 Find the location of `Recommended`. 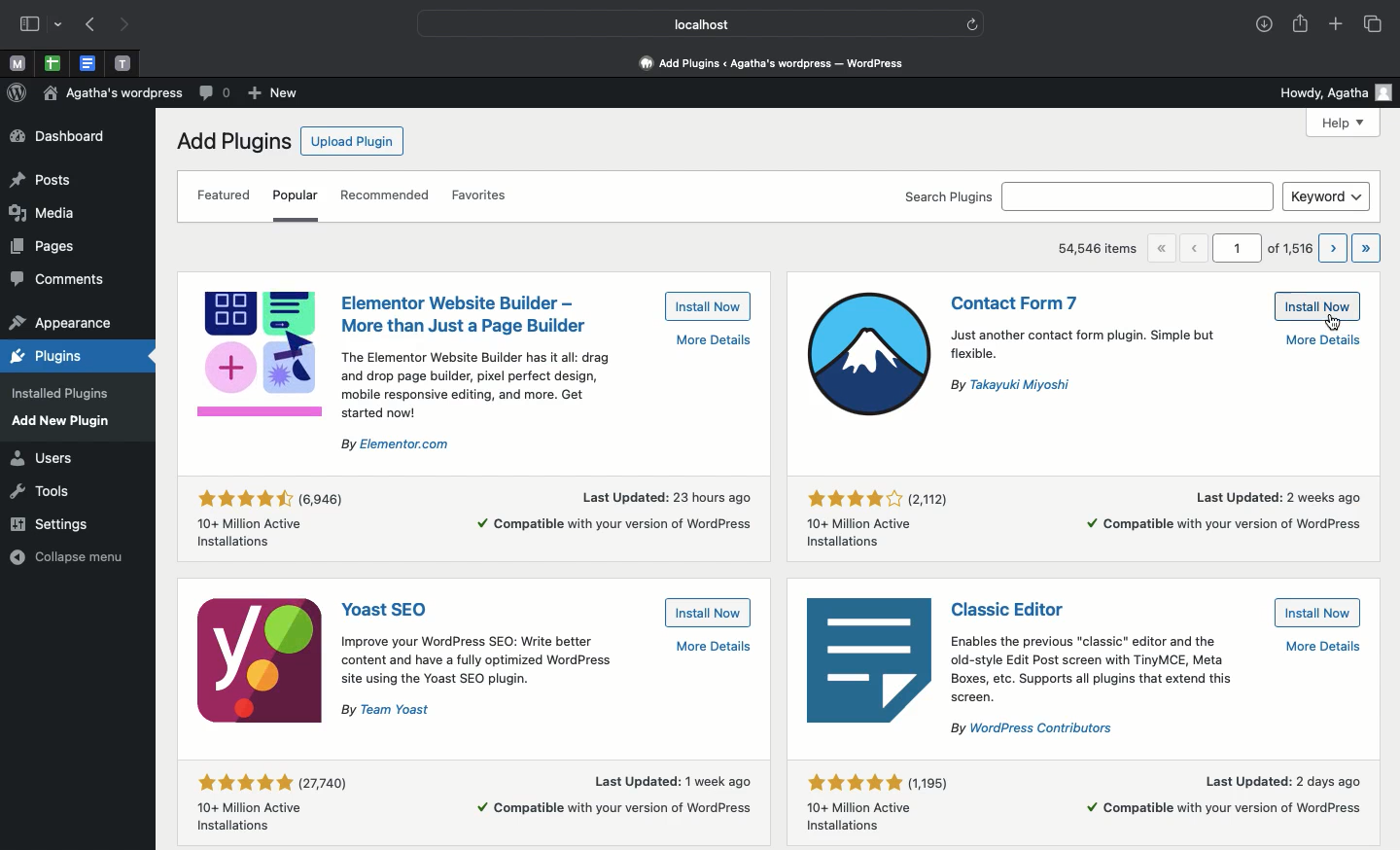

Recommended is located at coordinates (388, 197).